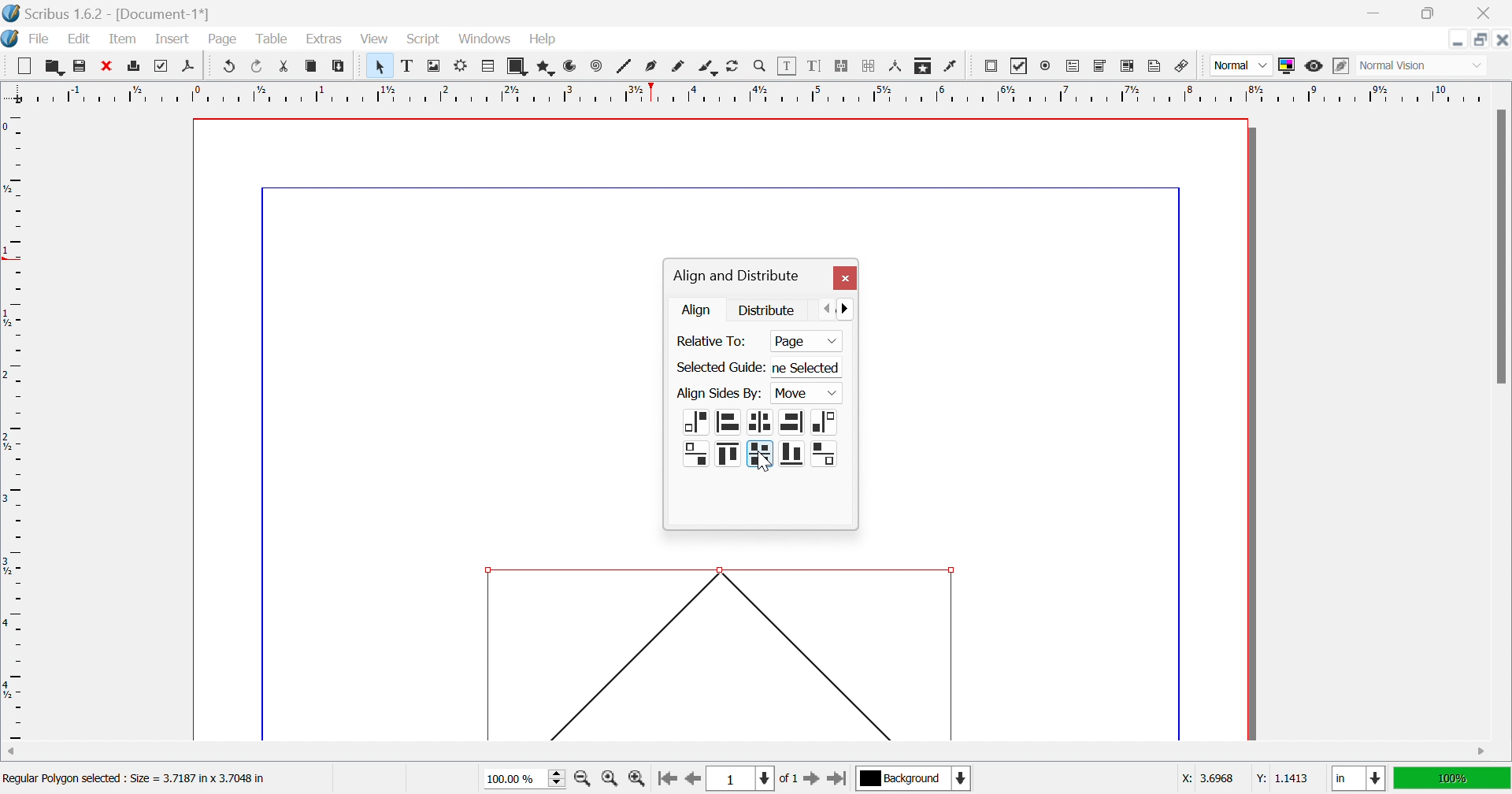 This screenshot has height=794, width=1512. What do you see at coordinates (341, 66) in the screenshot?
I see `Paste` at bounding box center [341, 66].